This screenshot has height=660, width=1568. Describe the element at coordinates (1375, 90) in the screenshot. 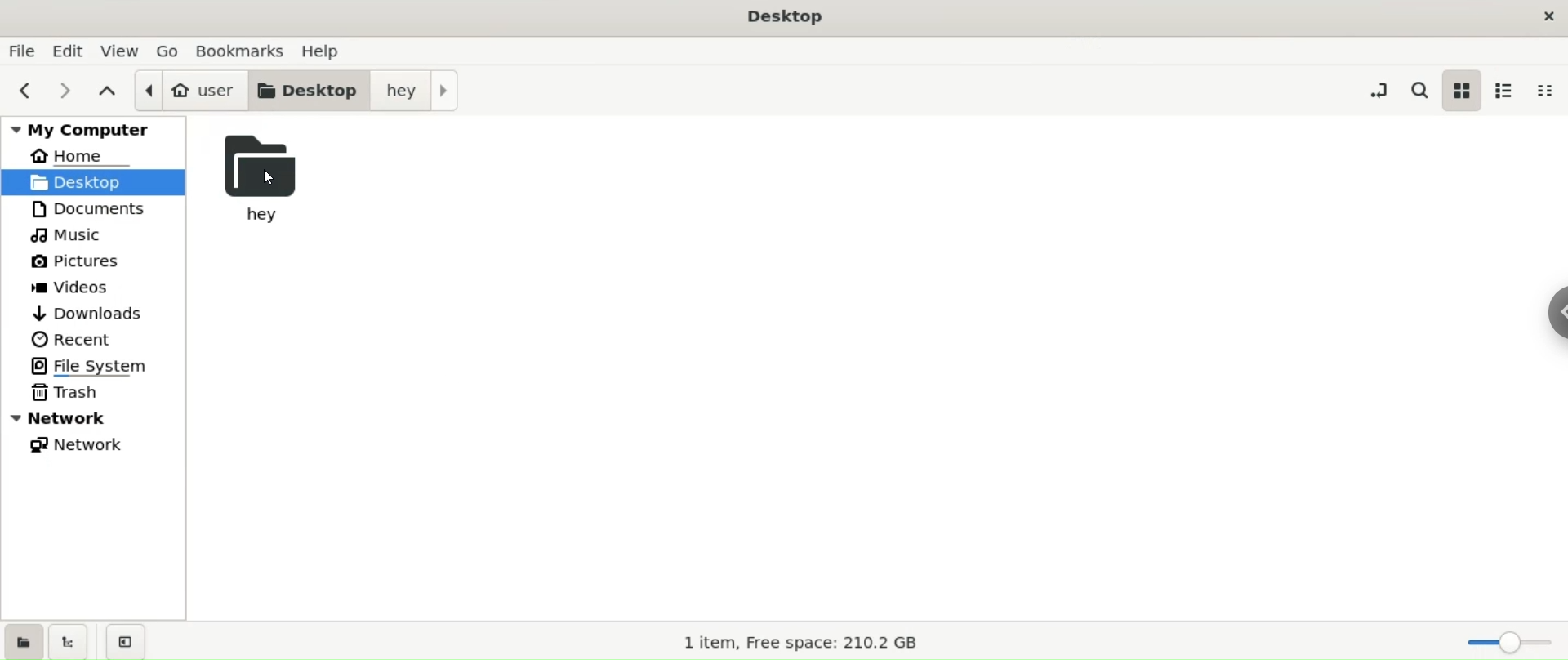

I see `toggle location entry` at that location.